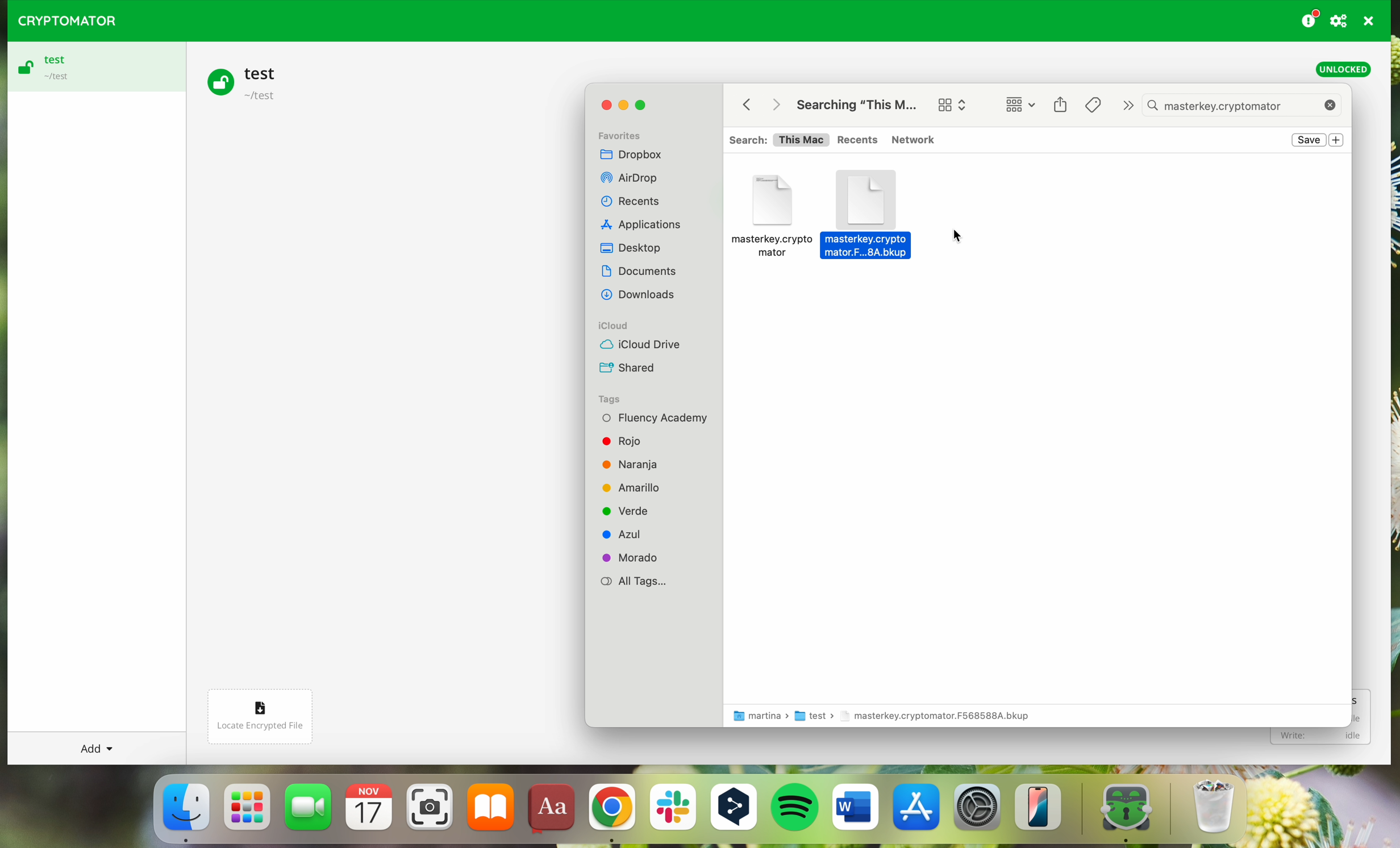 Image resolution: width=1400 pixels, height=848 pixels. I want to click on share, so click(1061, 105).